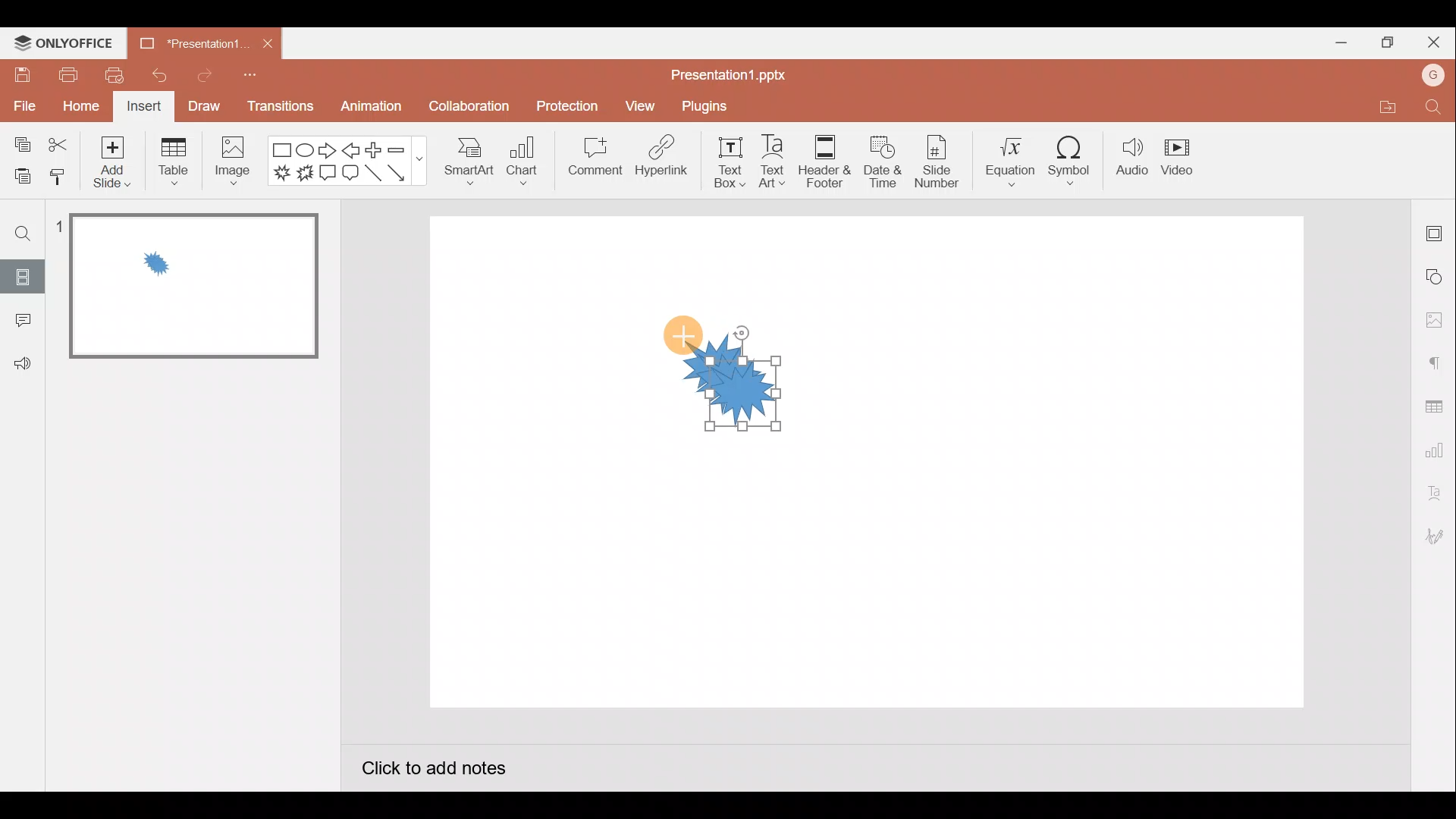 This screenshot has width=1456, height=819. Describe the element at coordinates (254, 77) in the screenshot. I see `Customize quick access toolbar` at that location.